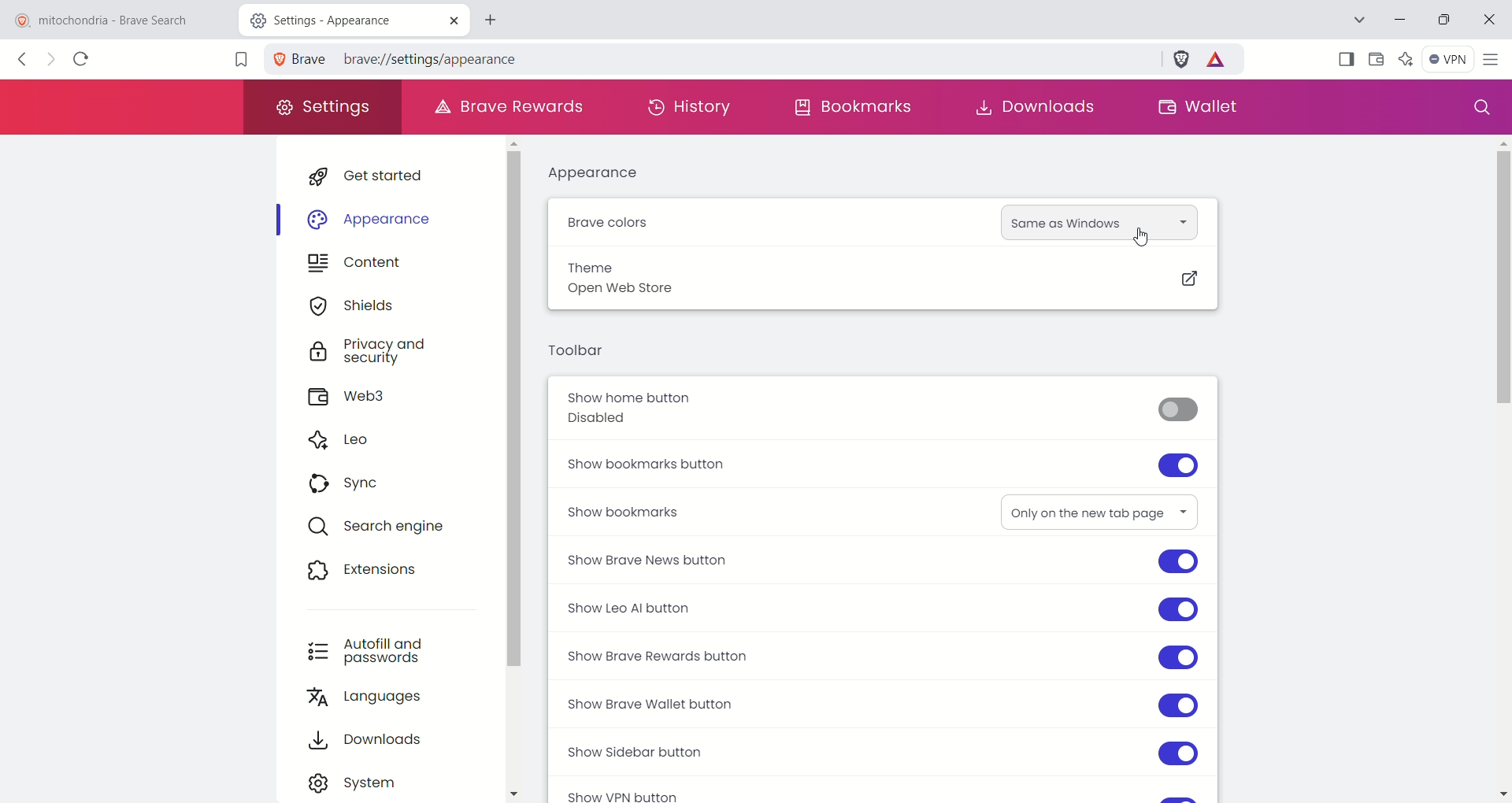 The height and width of the screenshot is (803, 1512). Describe the element at coordinates (371, 649) in the screenshot. I see `autofill and passwords` at that location.